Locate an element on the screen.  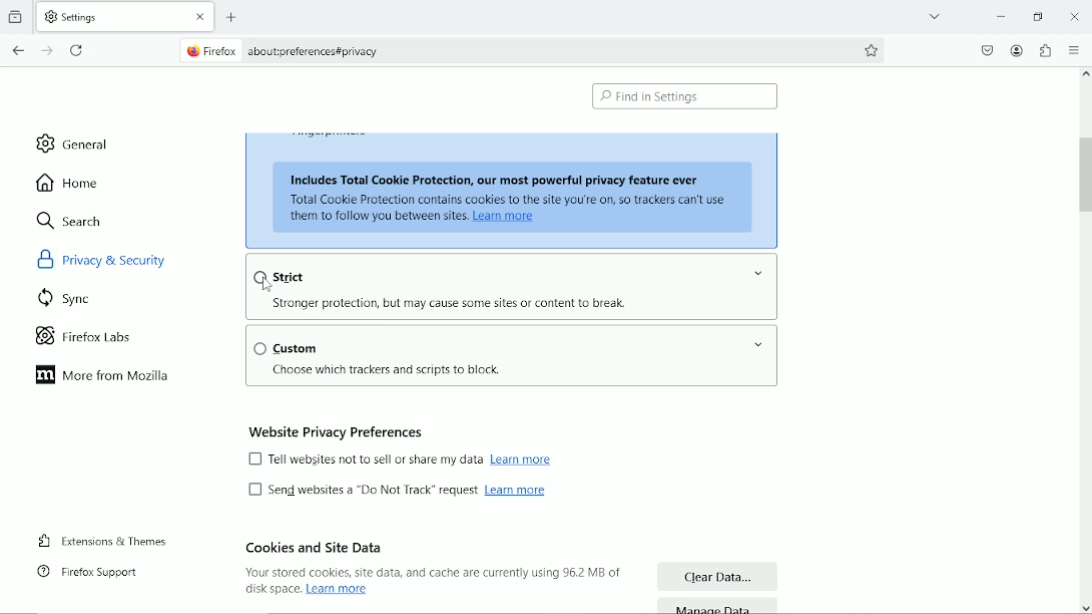
cookies and site data is located at coordinates (313, 546).